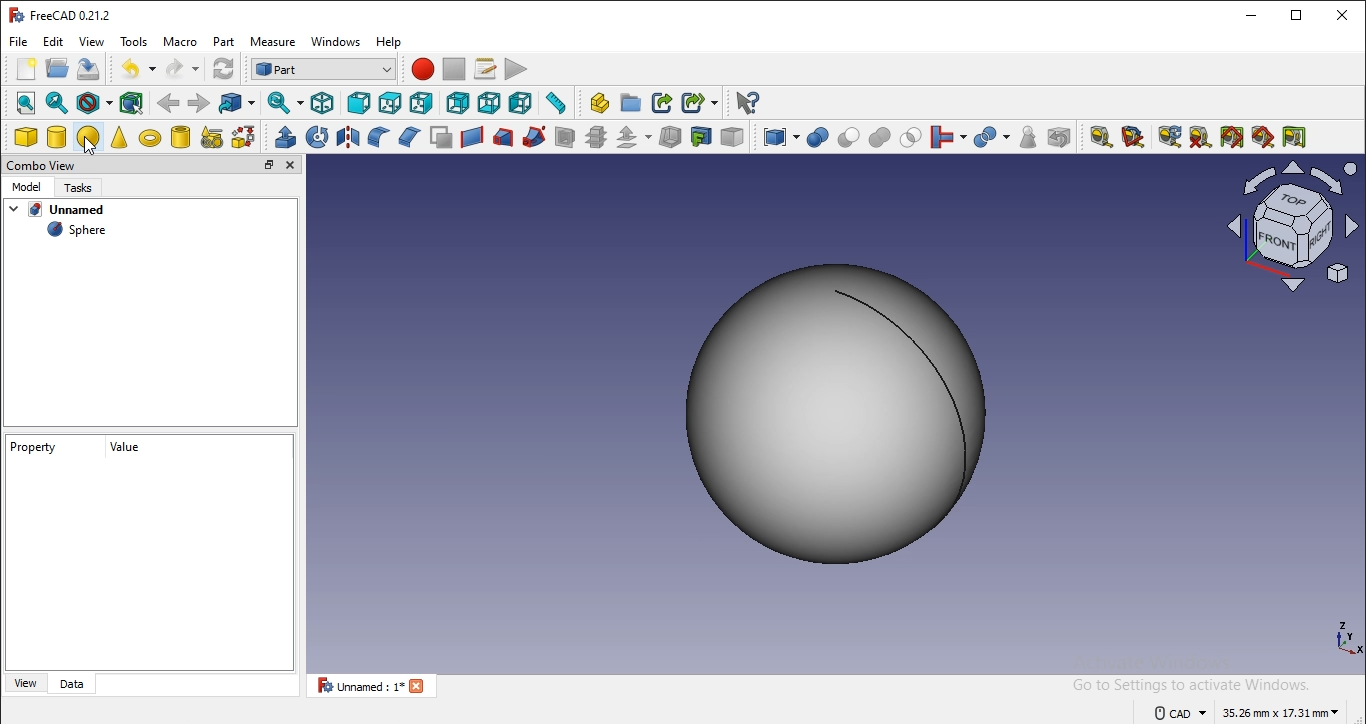 The height and width of the screenshot is (724, 1366). What do you see at coordinates (1293, 14) in the screenshot?
I see `restore` at bounding box center [1293, 14].